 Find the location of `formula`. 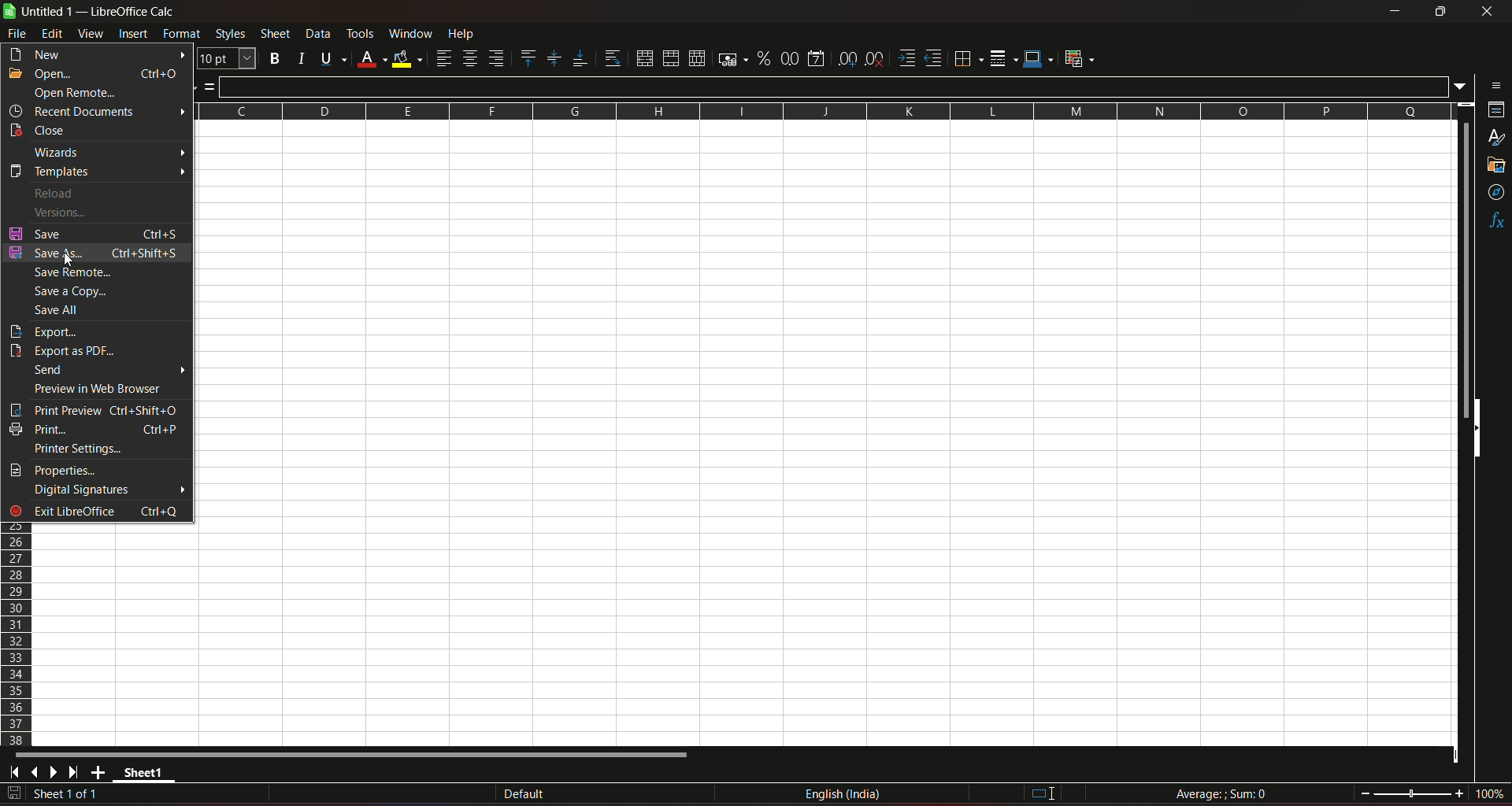

formula is located at coordinates (209, 90).